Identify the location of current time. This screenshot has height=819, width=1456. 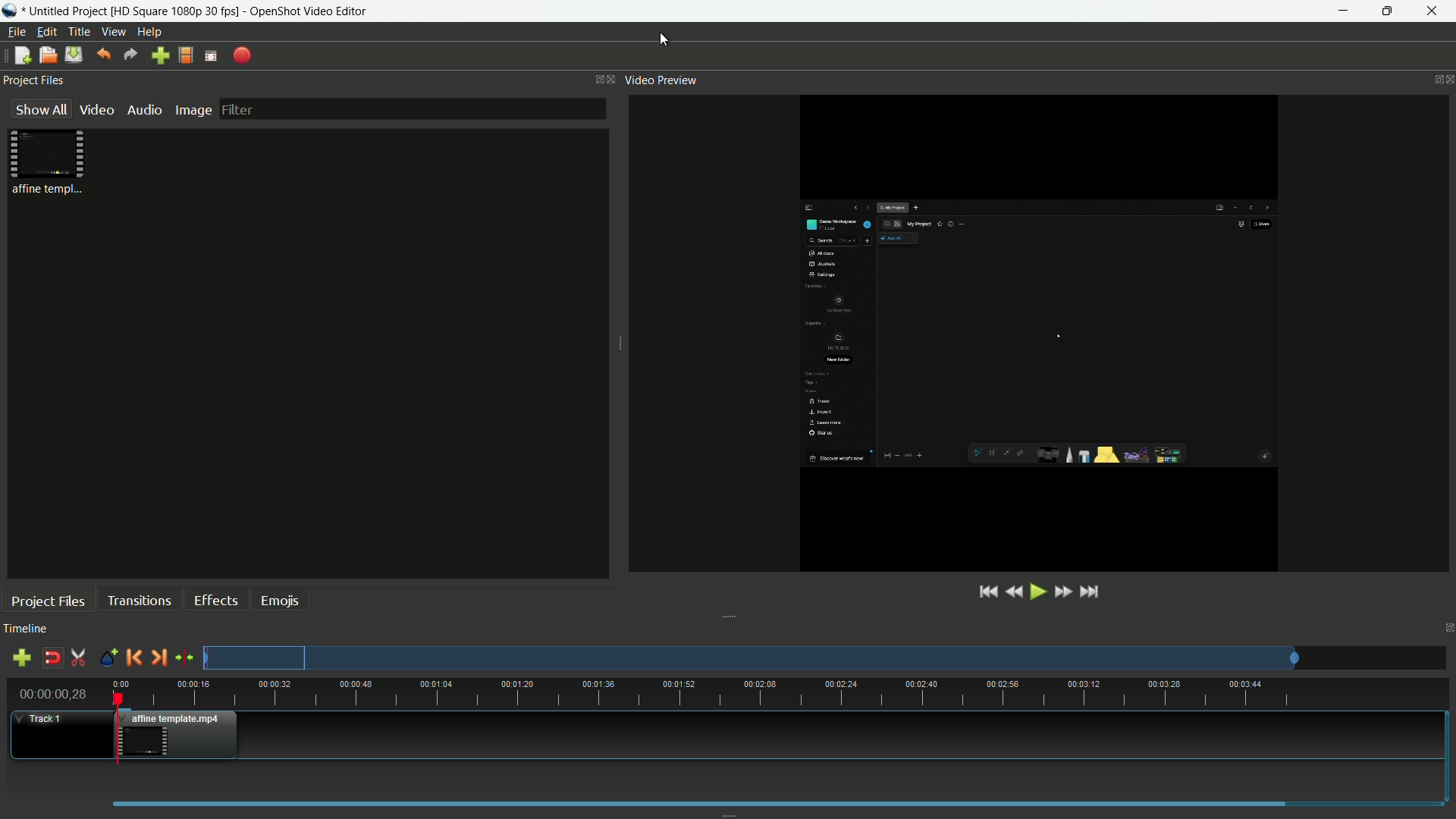
(52, 694).